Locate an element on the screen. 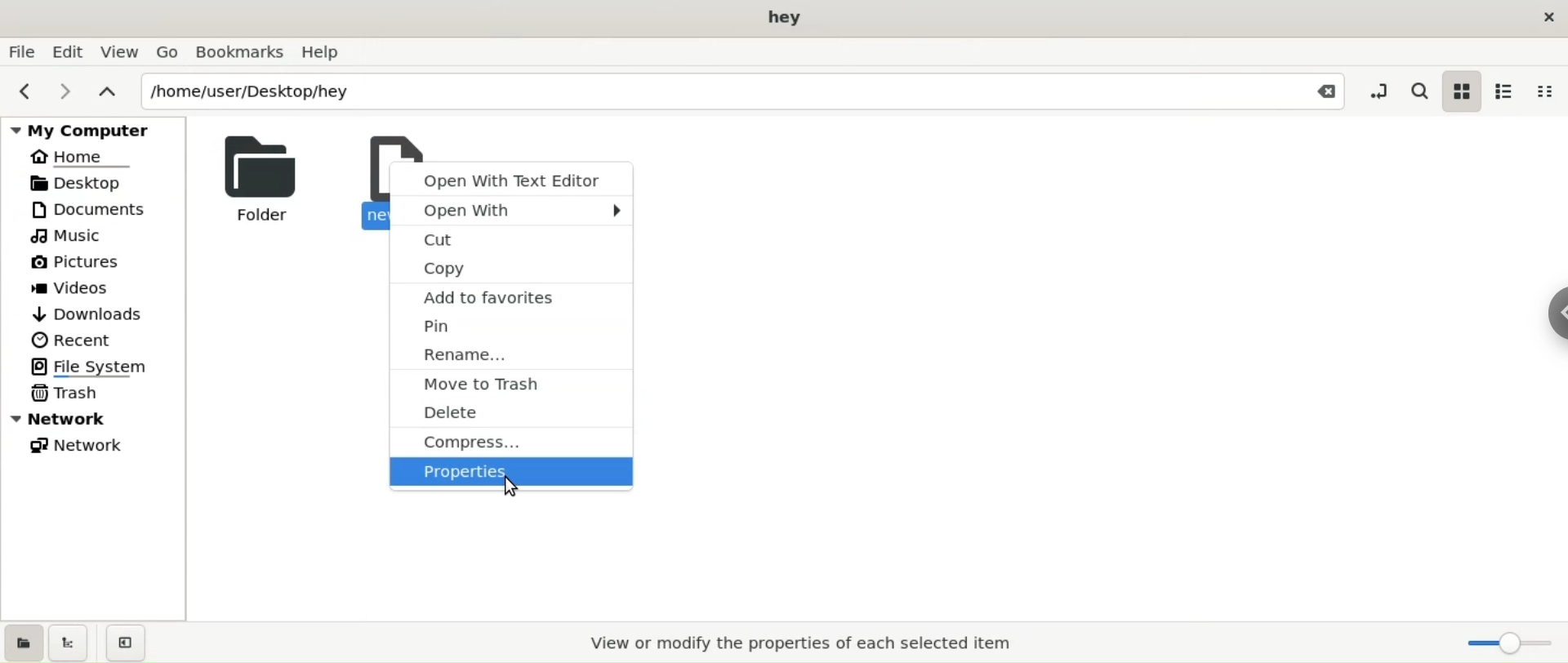 The width and height of the screenshot is (1568, 663). move to trash is located at coordinates (517, 382).